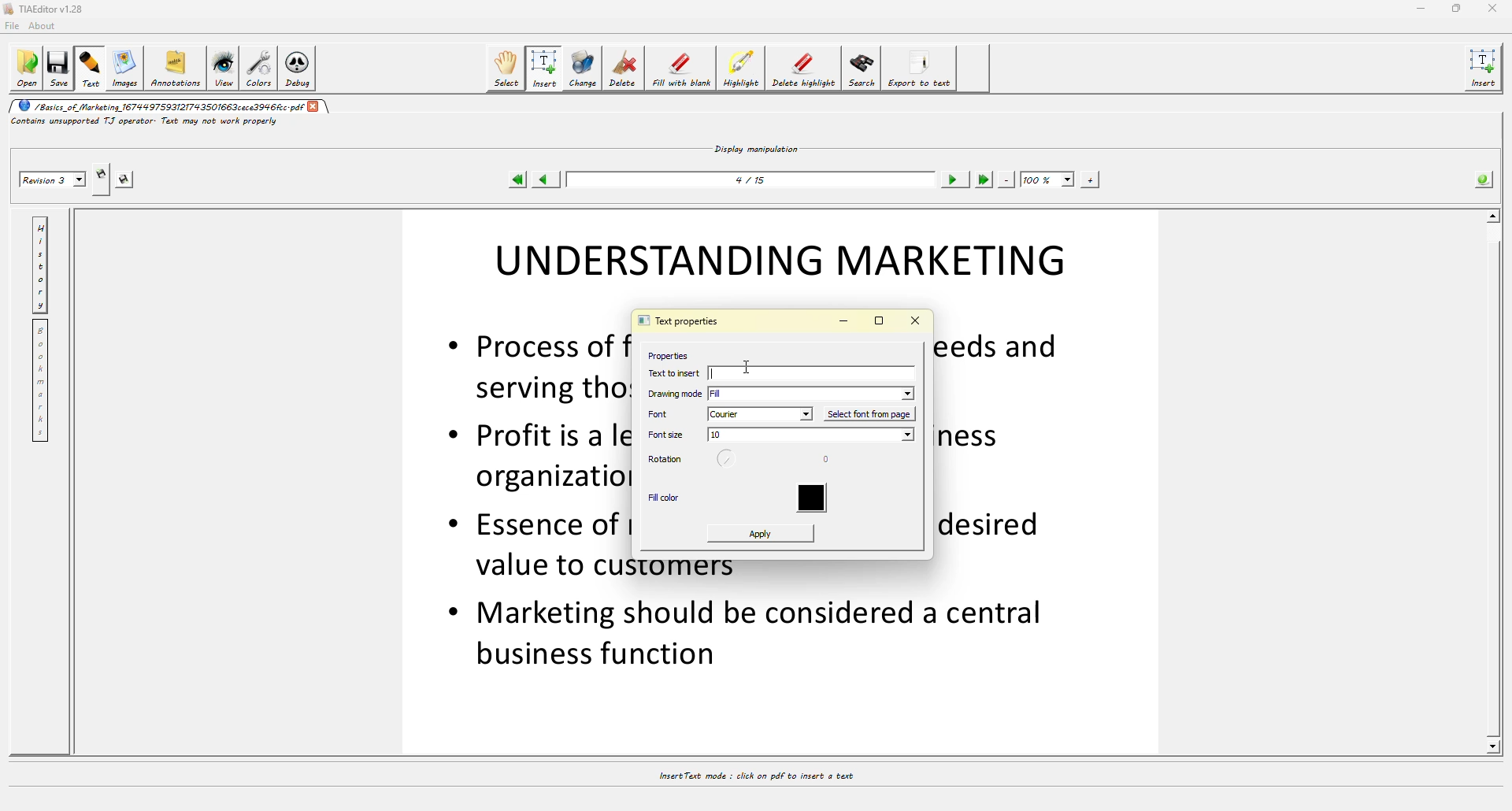 Image resolution: width=1512 pixels, height=811 pixels. Describe the element at coordinates (711, 374) in the screenshot. I see `typing...` at that location.